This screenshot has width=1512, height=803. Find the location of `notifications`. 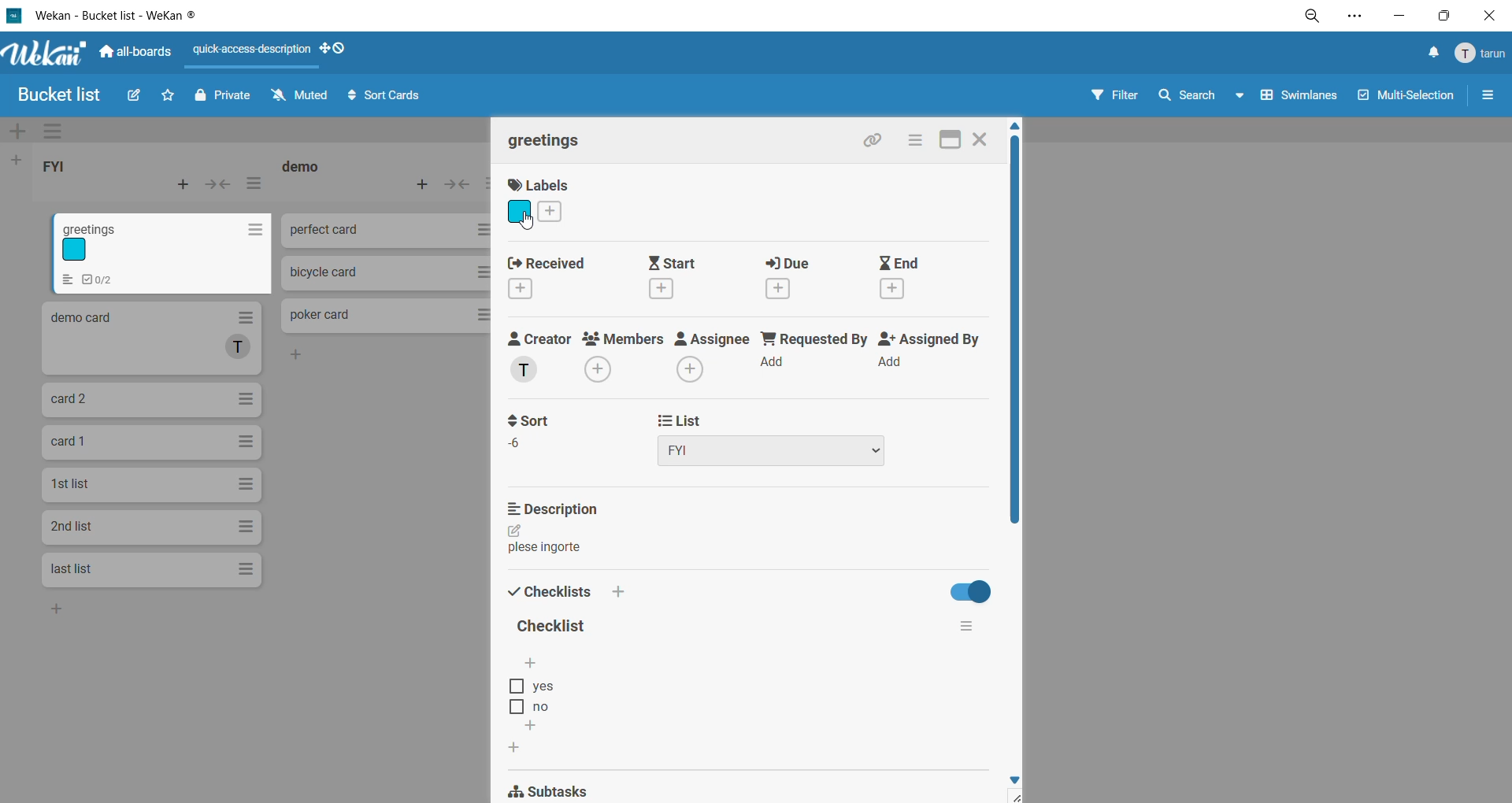

notifications is located at coordinates (1434, 52).